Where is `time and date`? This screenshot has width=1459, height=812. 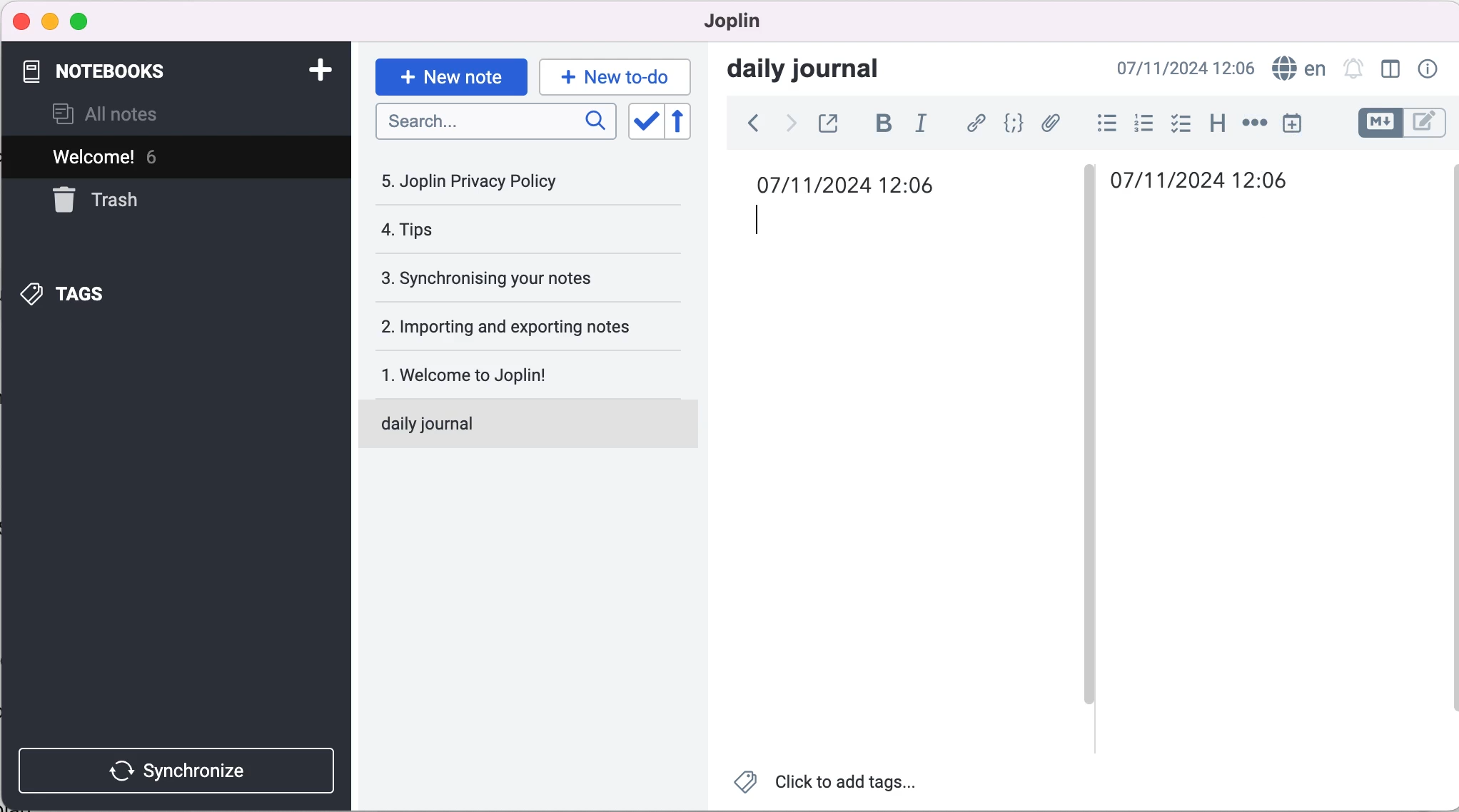 time and date is located at coordinates (1213, 181).